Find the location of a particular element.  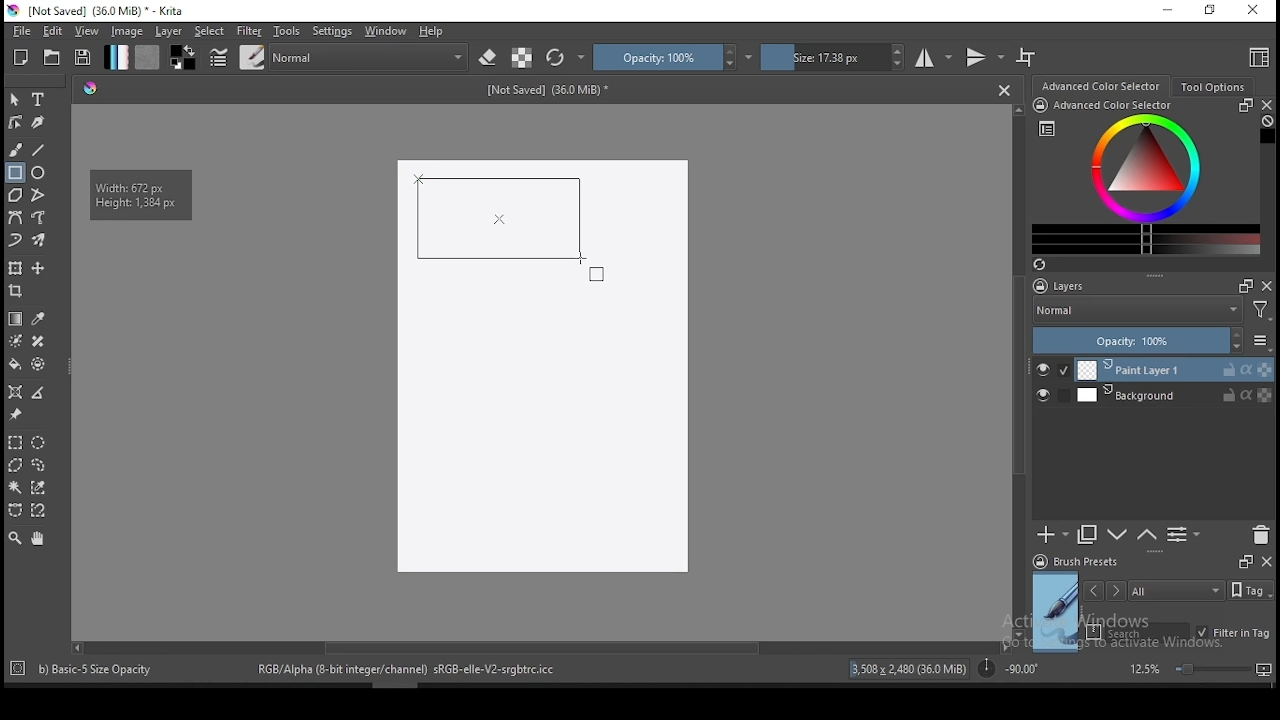

pattern is located at coordinates (147, 57).